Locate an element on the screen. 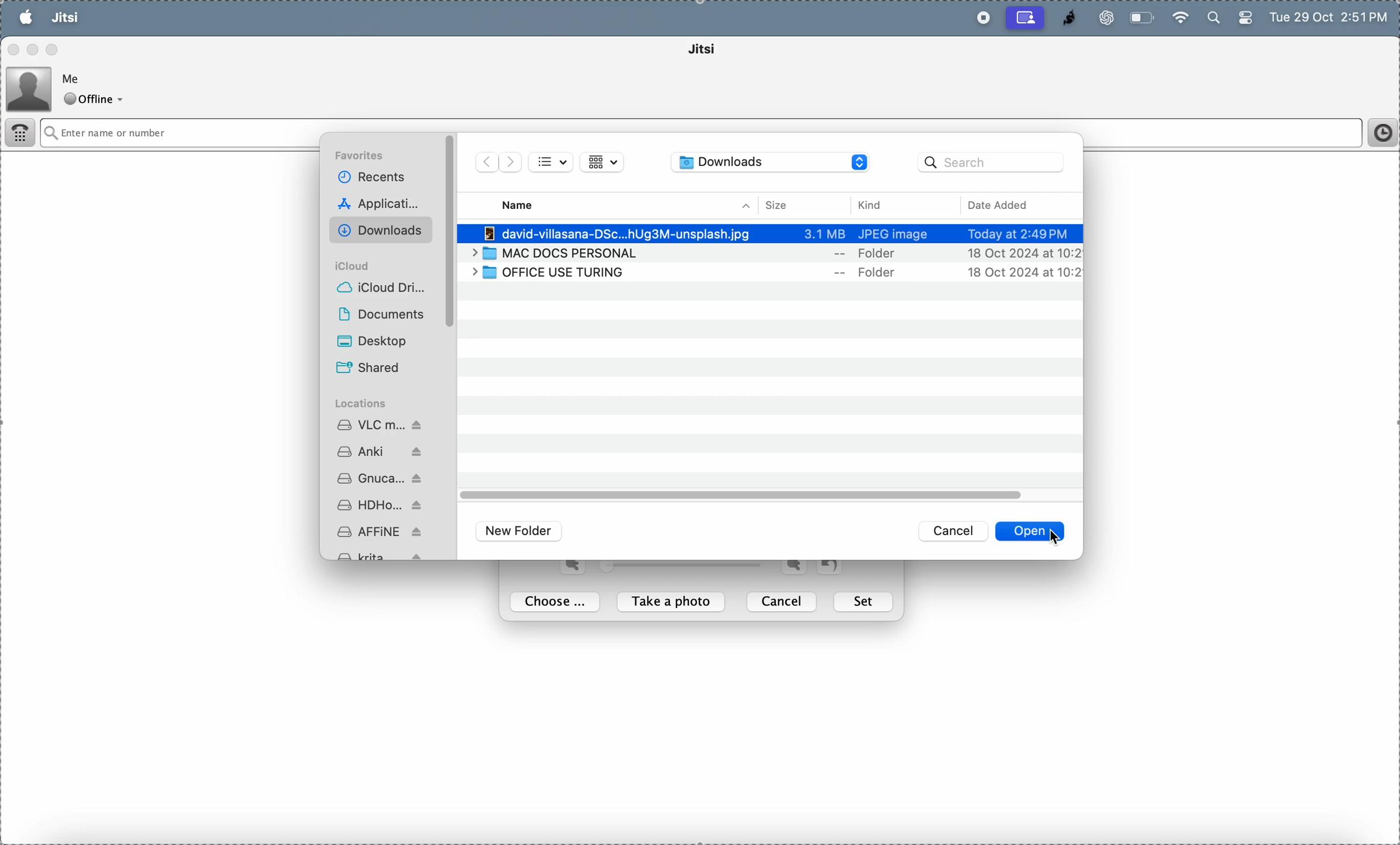  | > [1] OFFICE USE TURING -- Folder 18 Oct 2024 at 10:2] is located at coordinates (768, 273).